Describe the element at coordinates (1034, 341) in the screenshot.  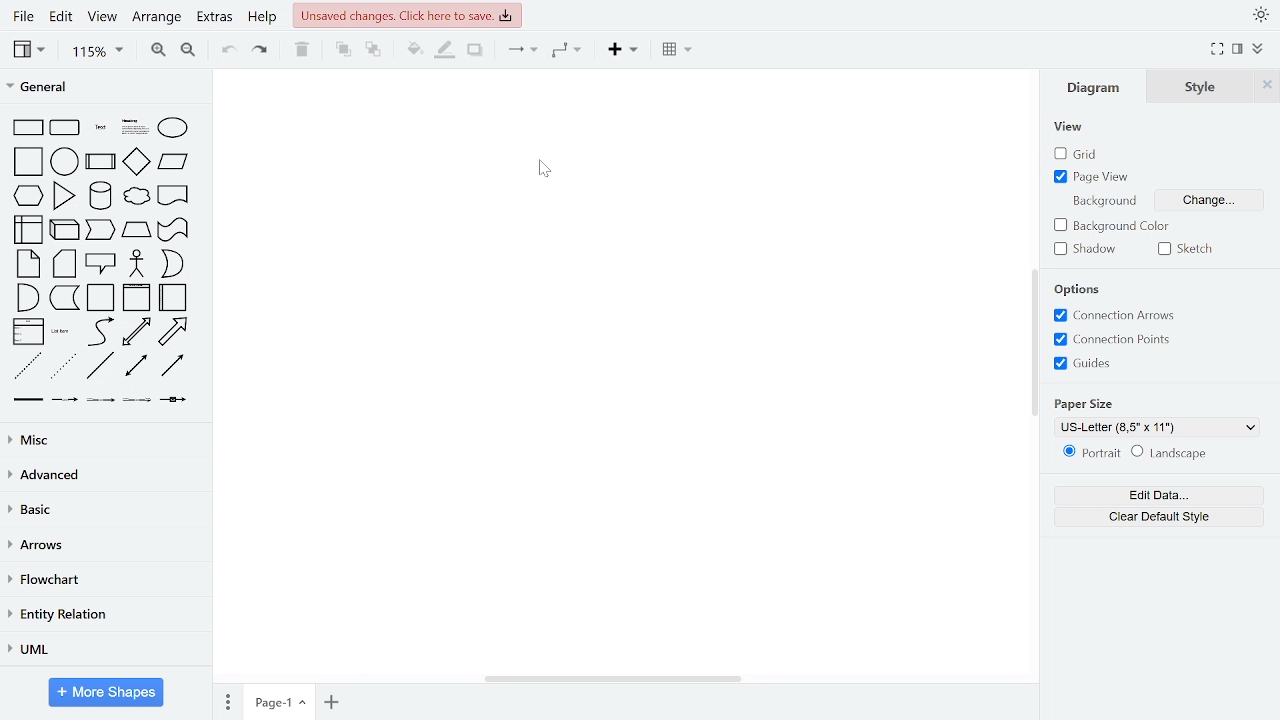
I see `vertical scrollbar` at that location.